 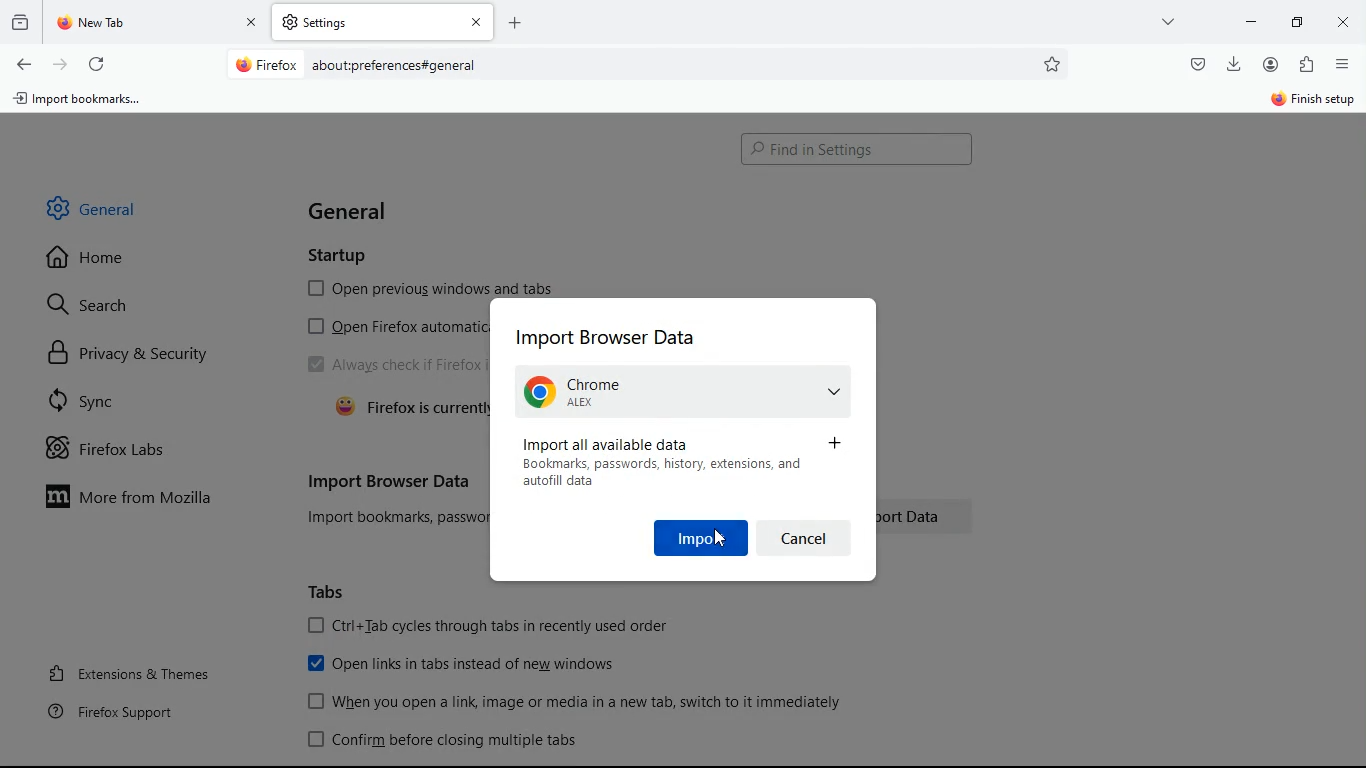 I want to click on general, so click(x=355, y=211).